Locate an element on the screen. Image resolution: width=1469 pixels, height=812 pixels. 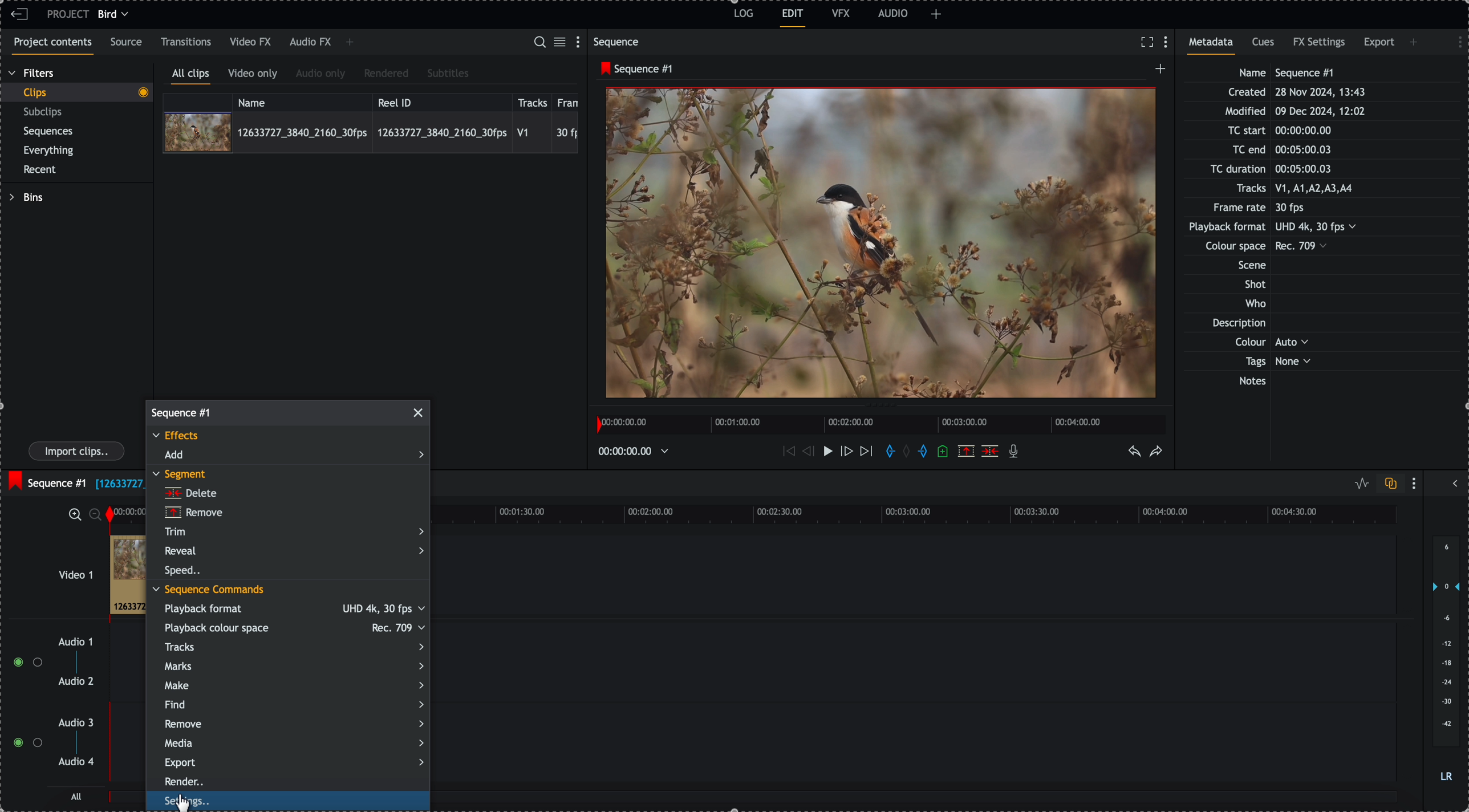
nudge one frame foward is located at coordinates (846, 452).